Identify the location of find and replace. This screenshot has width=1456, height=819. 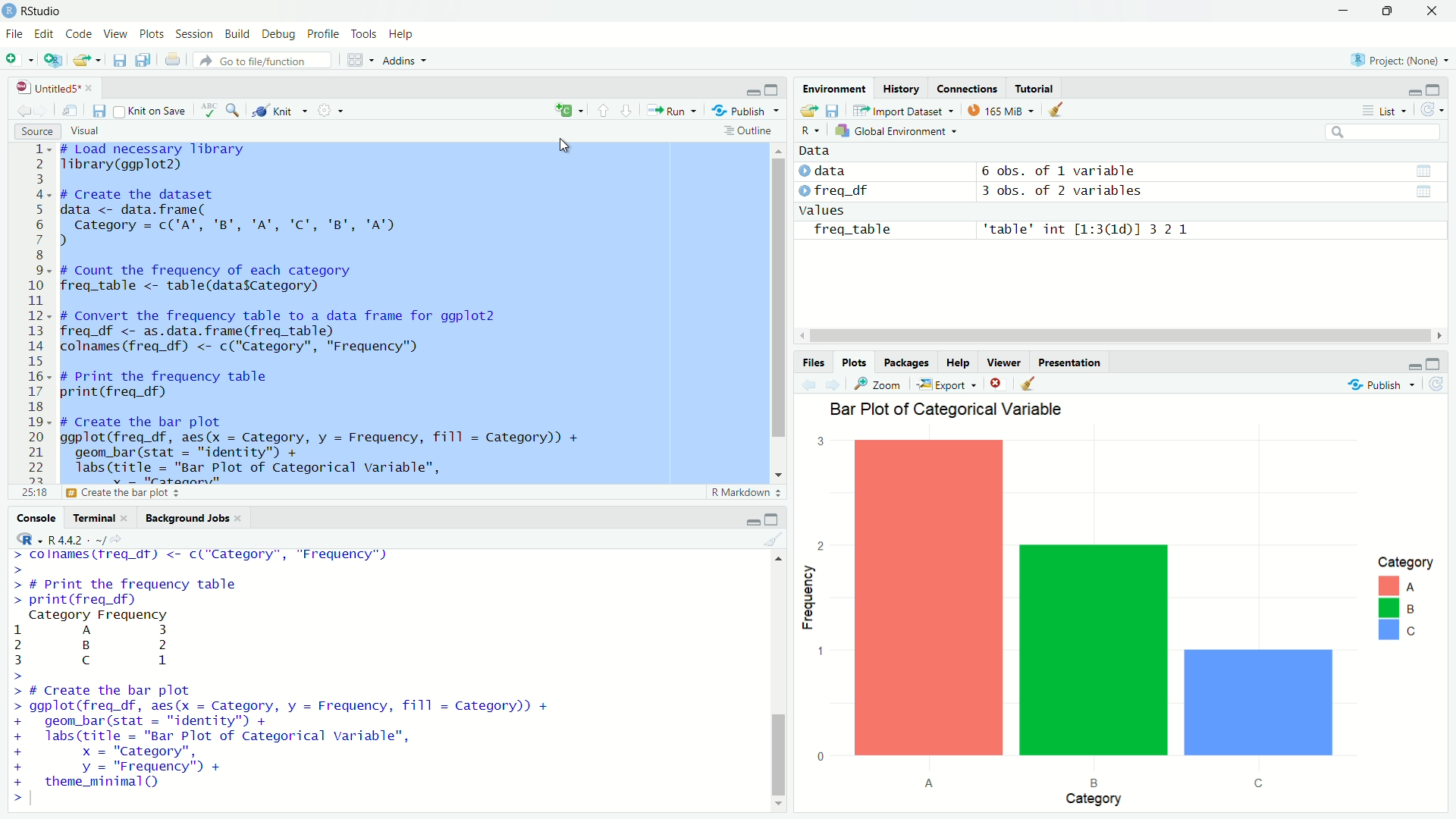
(234, 112).